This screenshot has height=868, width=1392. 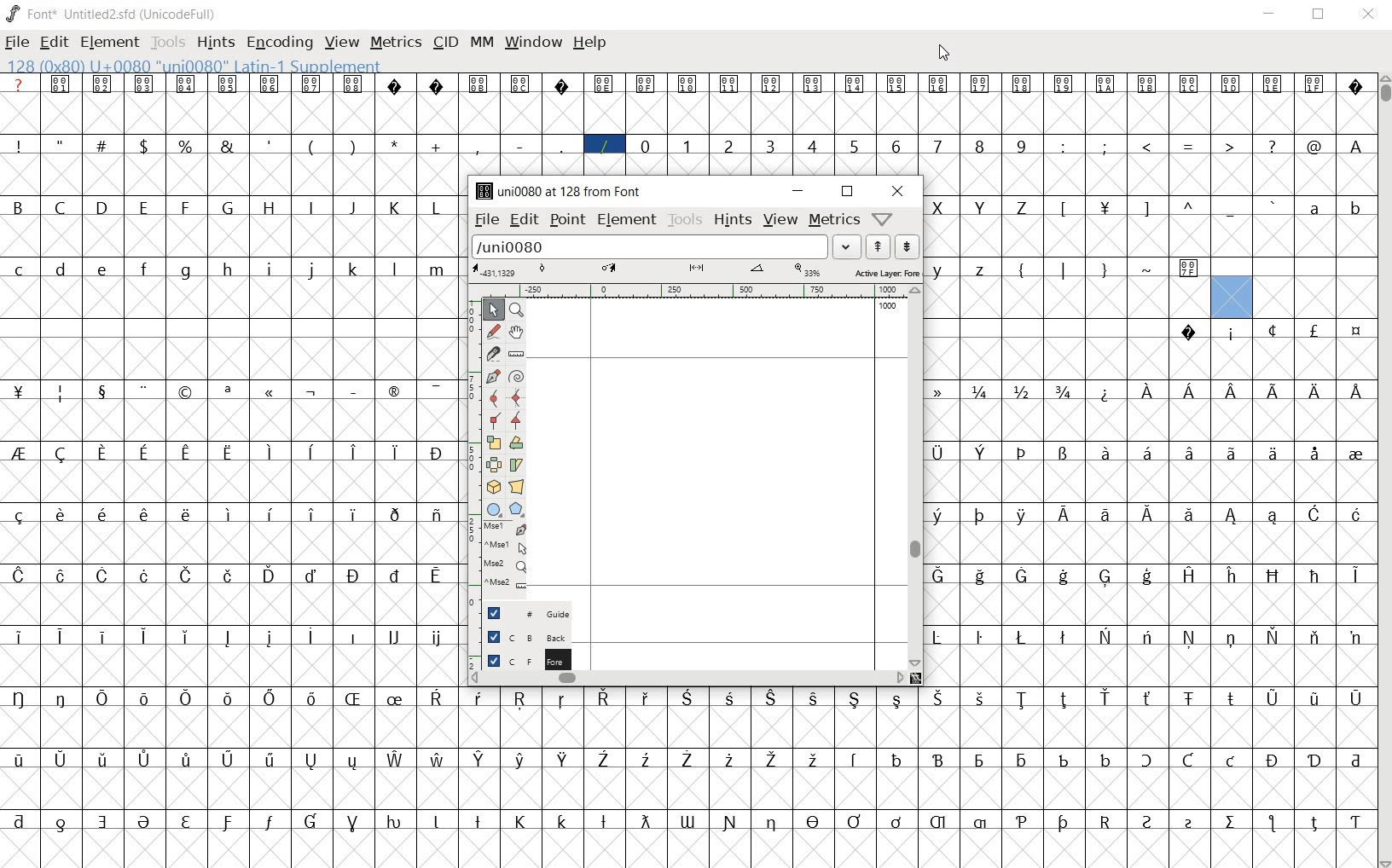 I want to click on glyph, so click(x=1064, y=85).